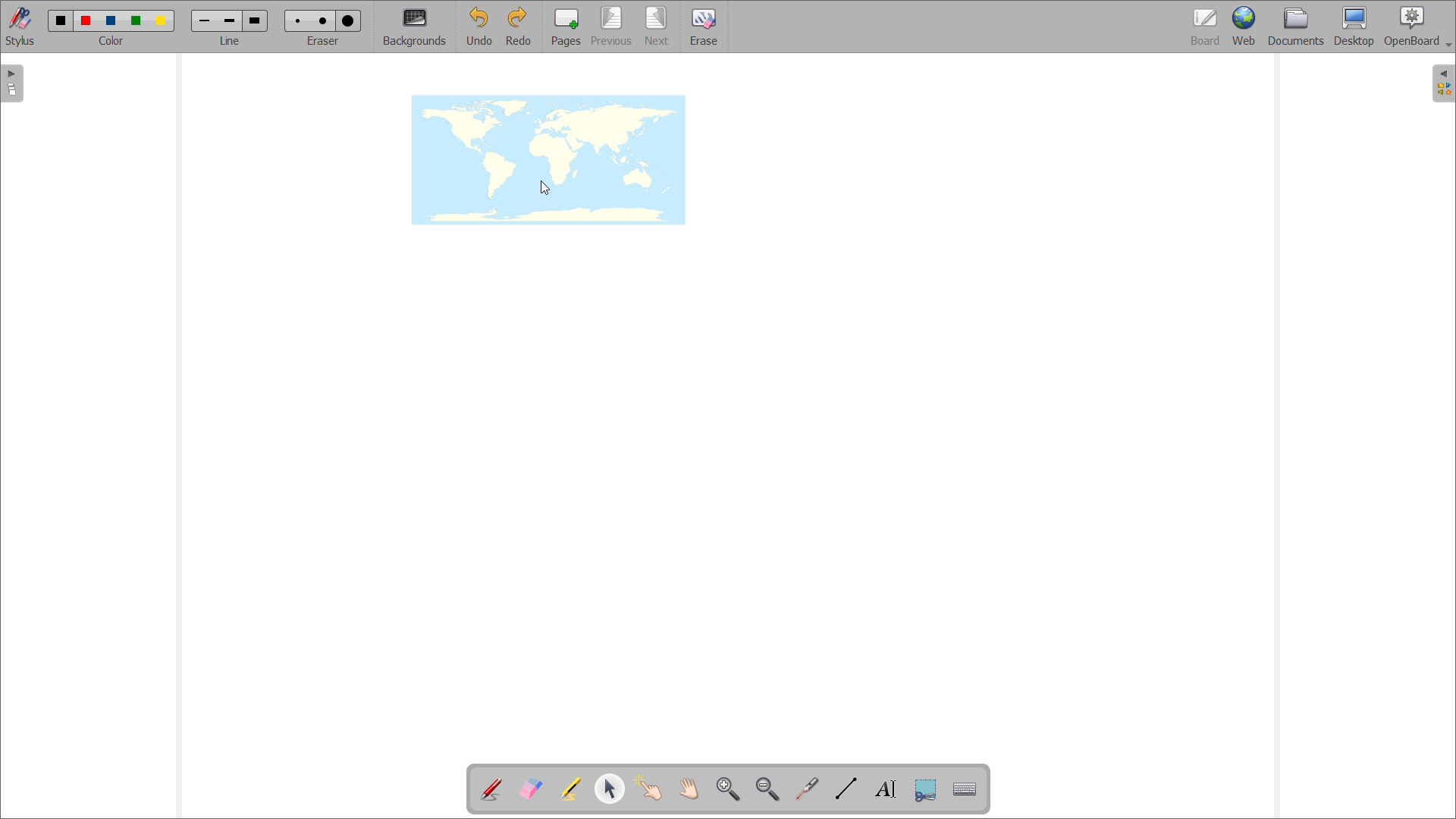 Image resolution: width=1456 pixels, height=819 pixels. I want to click on virtual laser pointer, so click(808, 789).